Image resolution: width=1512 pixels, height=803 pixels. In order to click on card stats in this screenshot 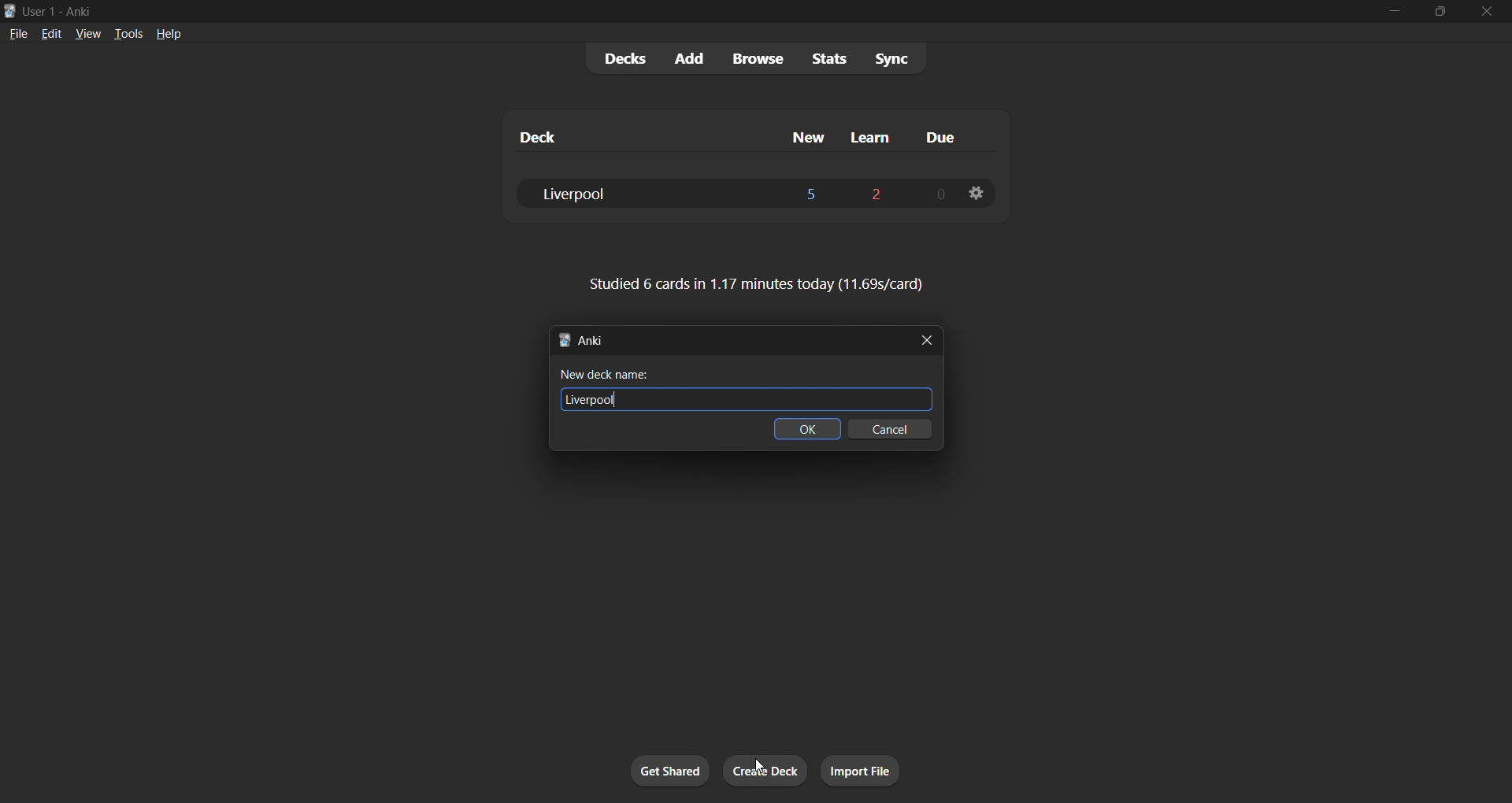, I will do `click(758, 284)`.